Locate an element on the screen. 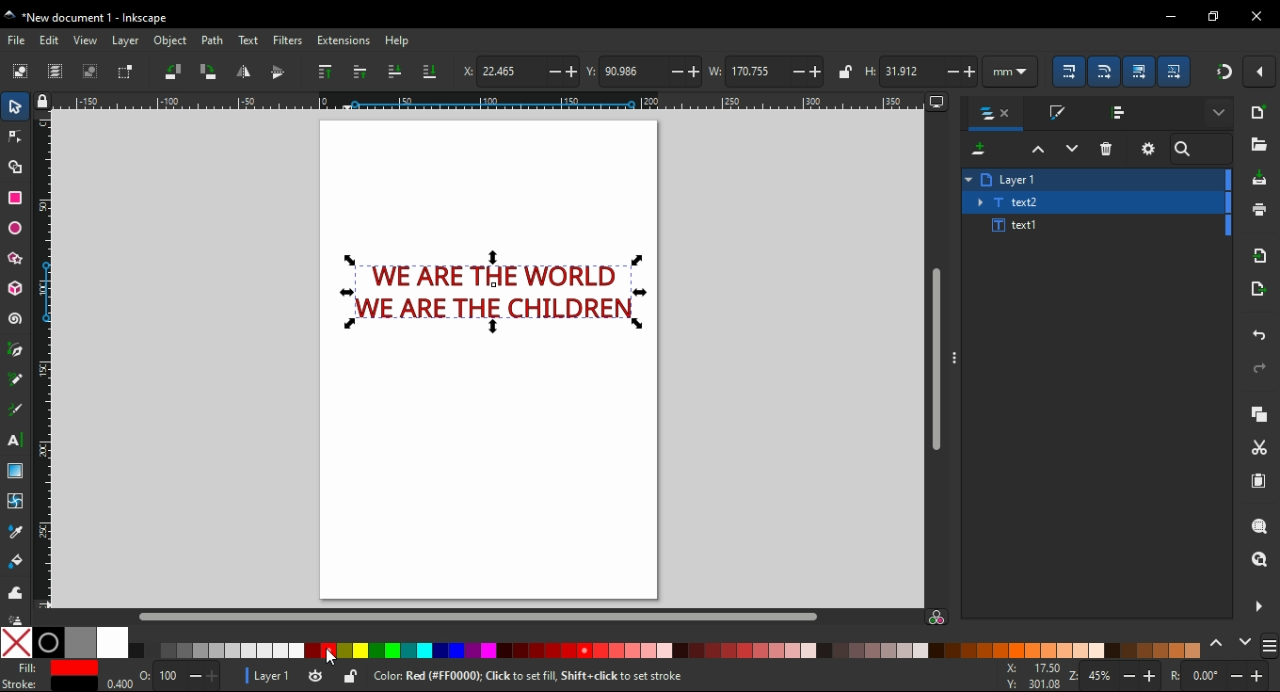 This screenshot has width=1280, height=692. scroll bar is located at coordinates (937, 361).